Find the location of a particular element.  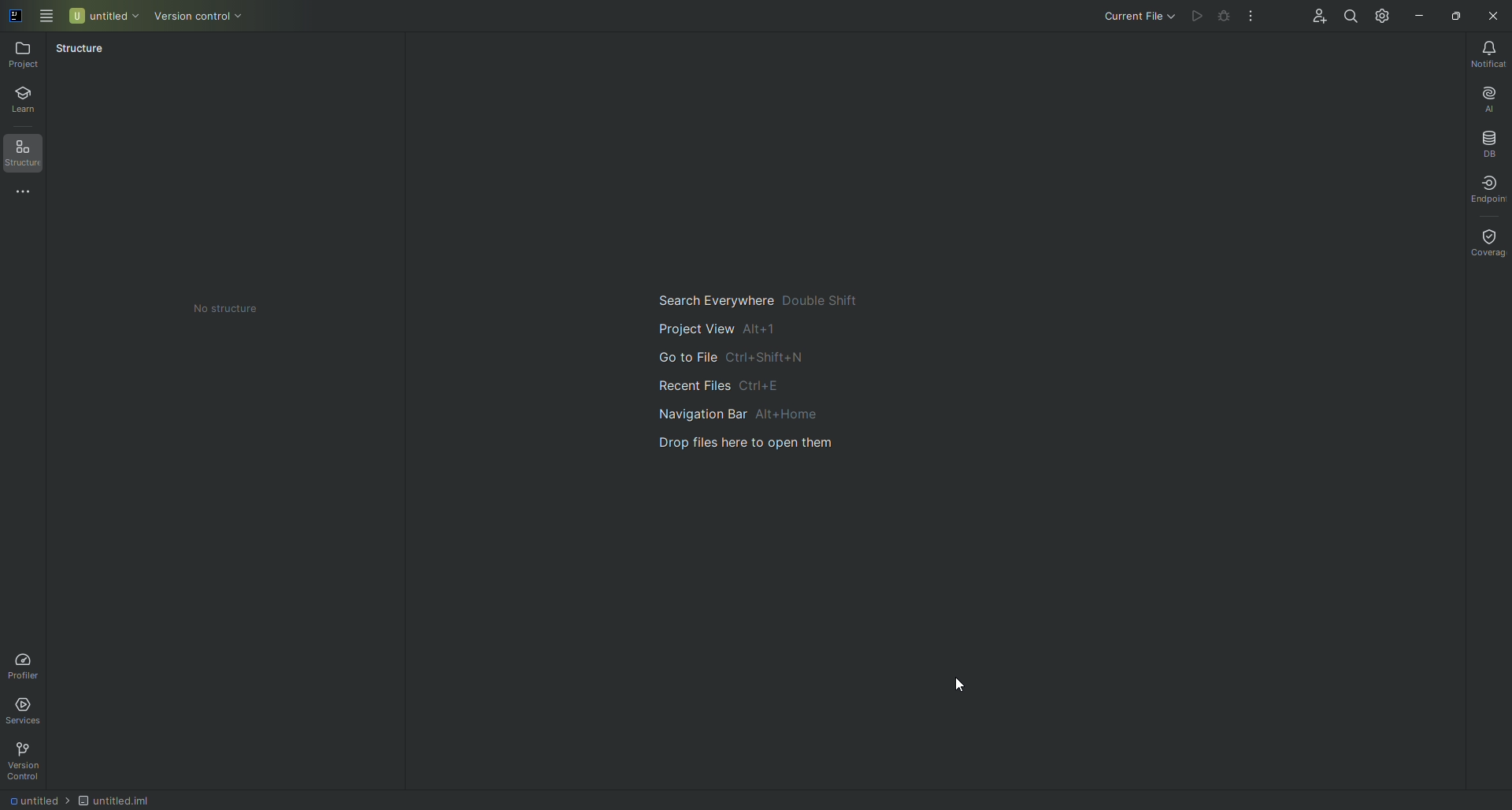

More Actions is located at coordinates (1252, 17).